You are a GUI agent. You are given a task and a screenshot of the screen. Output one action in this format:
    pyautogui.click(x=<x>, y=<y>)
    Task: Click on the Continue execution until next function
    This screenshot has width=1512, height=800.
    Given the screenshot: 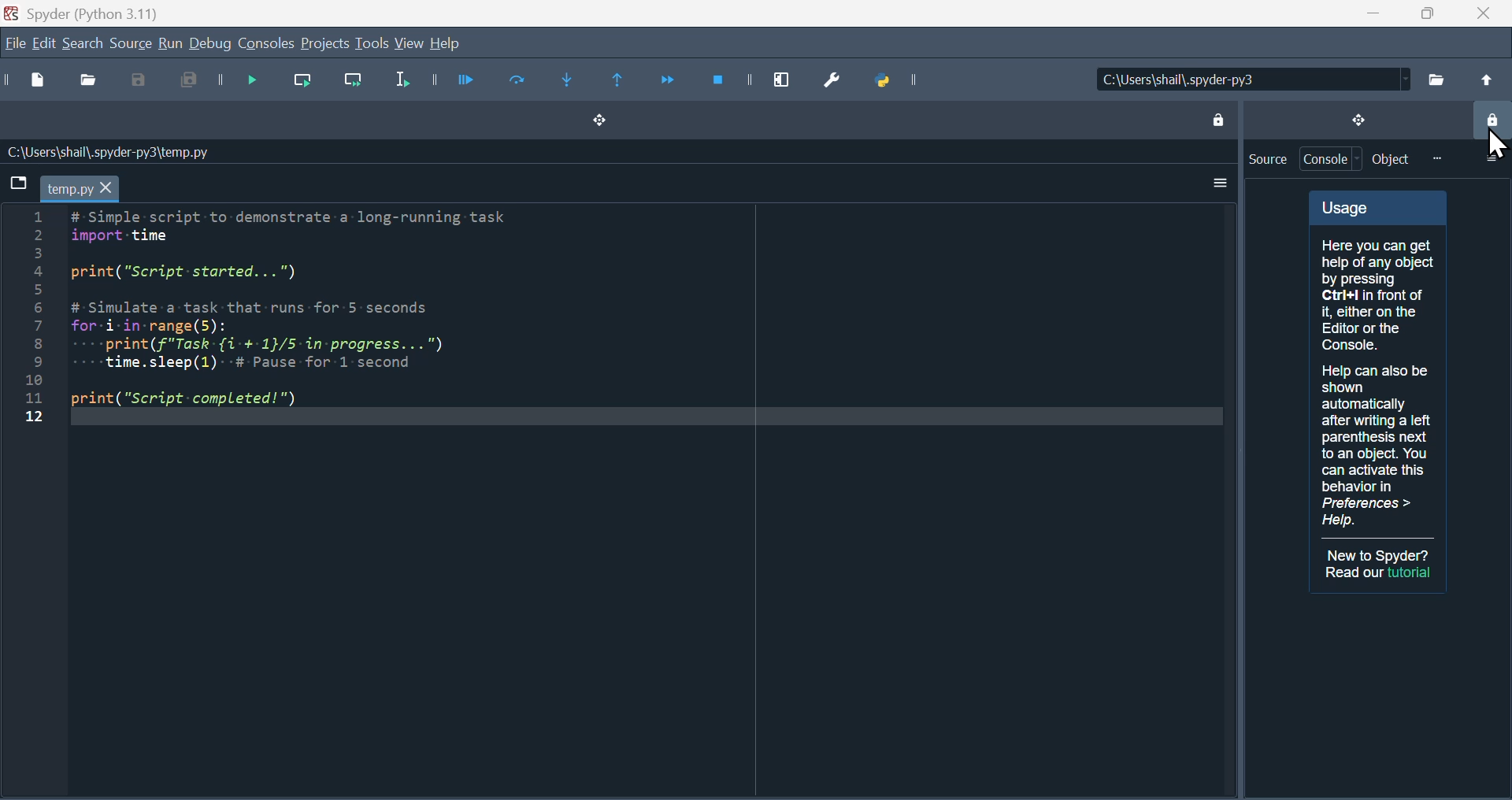 What is the action you would take?
    pyautogui.click(x=667, y=80)
    